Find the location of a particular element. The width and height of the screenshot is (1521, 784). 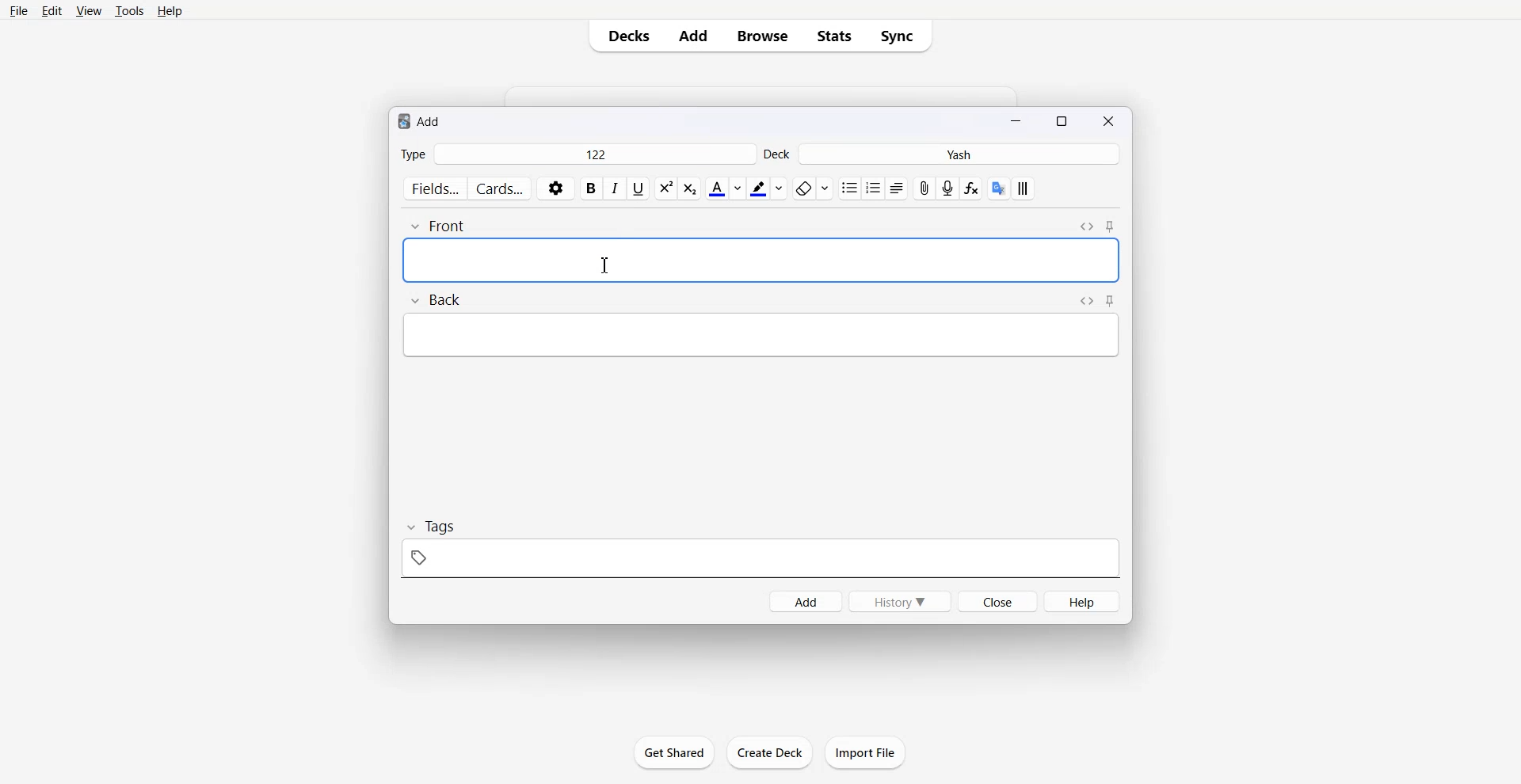

Decks is located at coordinates (623, 36).